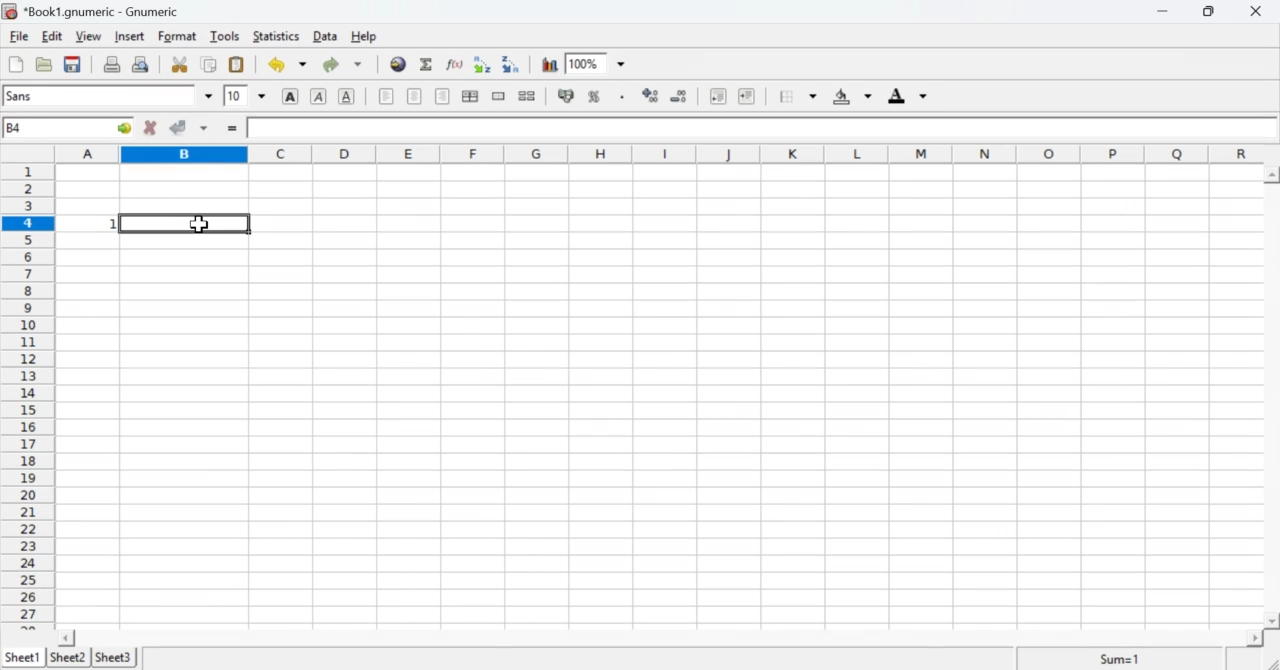 This screenshot has height=670, width=1280. What do you see at coordinates (457, 64) in the screenshot?
I see `Edit function` at bounding box center [457, 64].